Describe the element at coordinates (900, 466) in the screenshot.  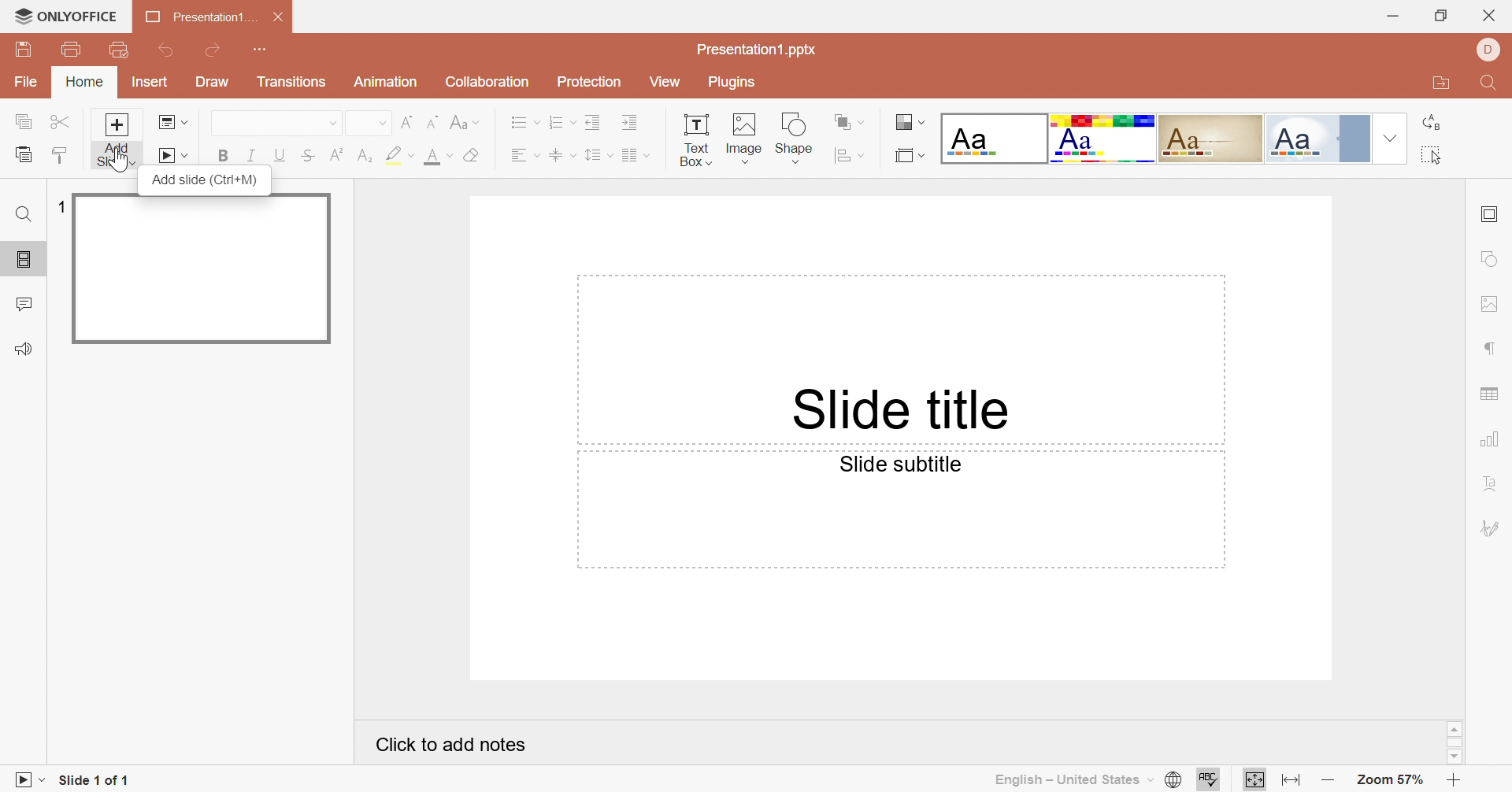
I see `Slide subtitle` at that location.